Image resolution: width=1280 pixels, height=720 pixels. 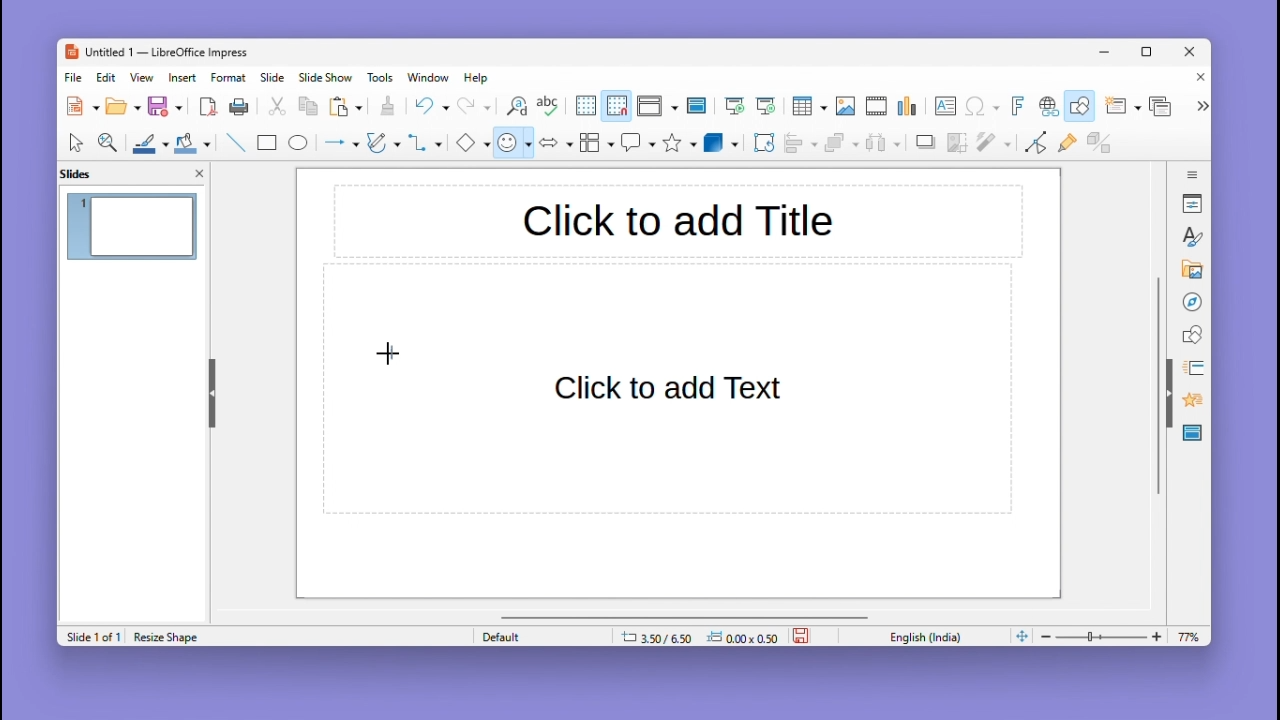 What do you see at coordinates (1106, 636) in the screenshot?
I see `zoom toggle bar` at bounding box center [1106, 636].